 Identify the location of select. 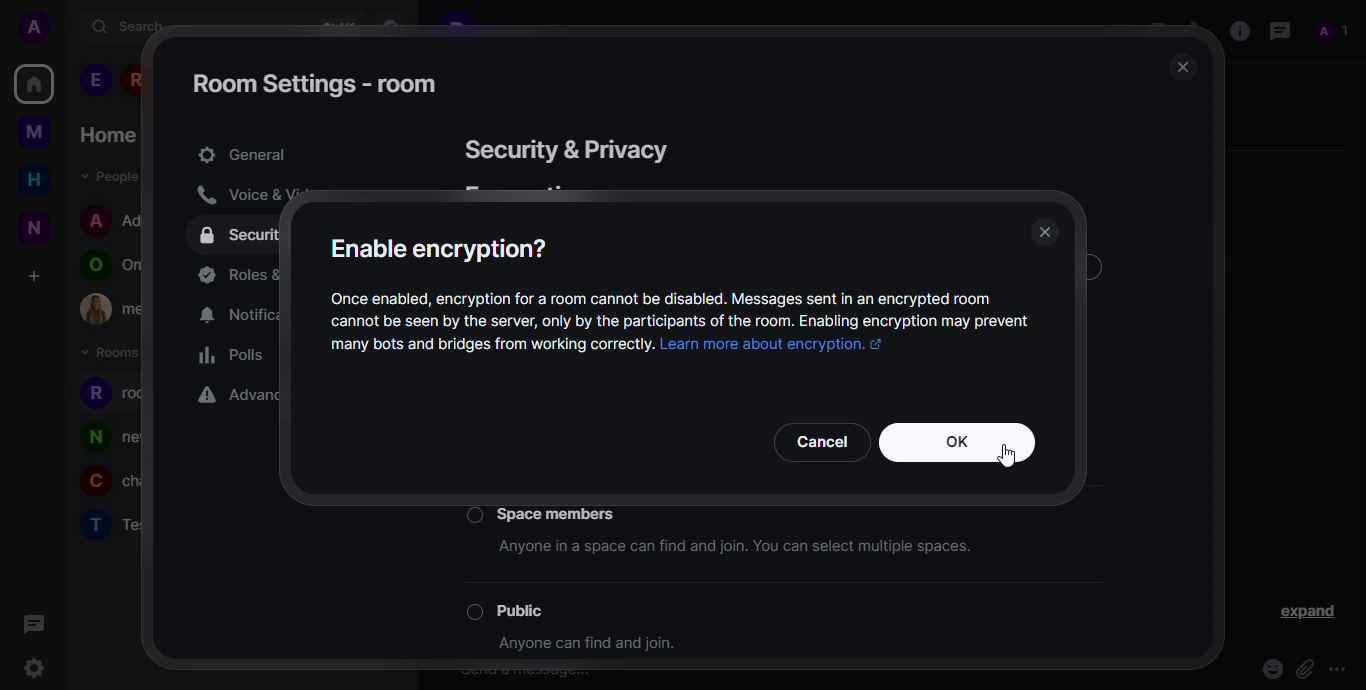
(473, 515).